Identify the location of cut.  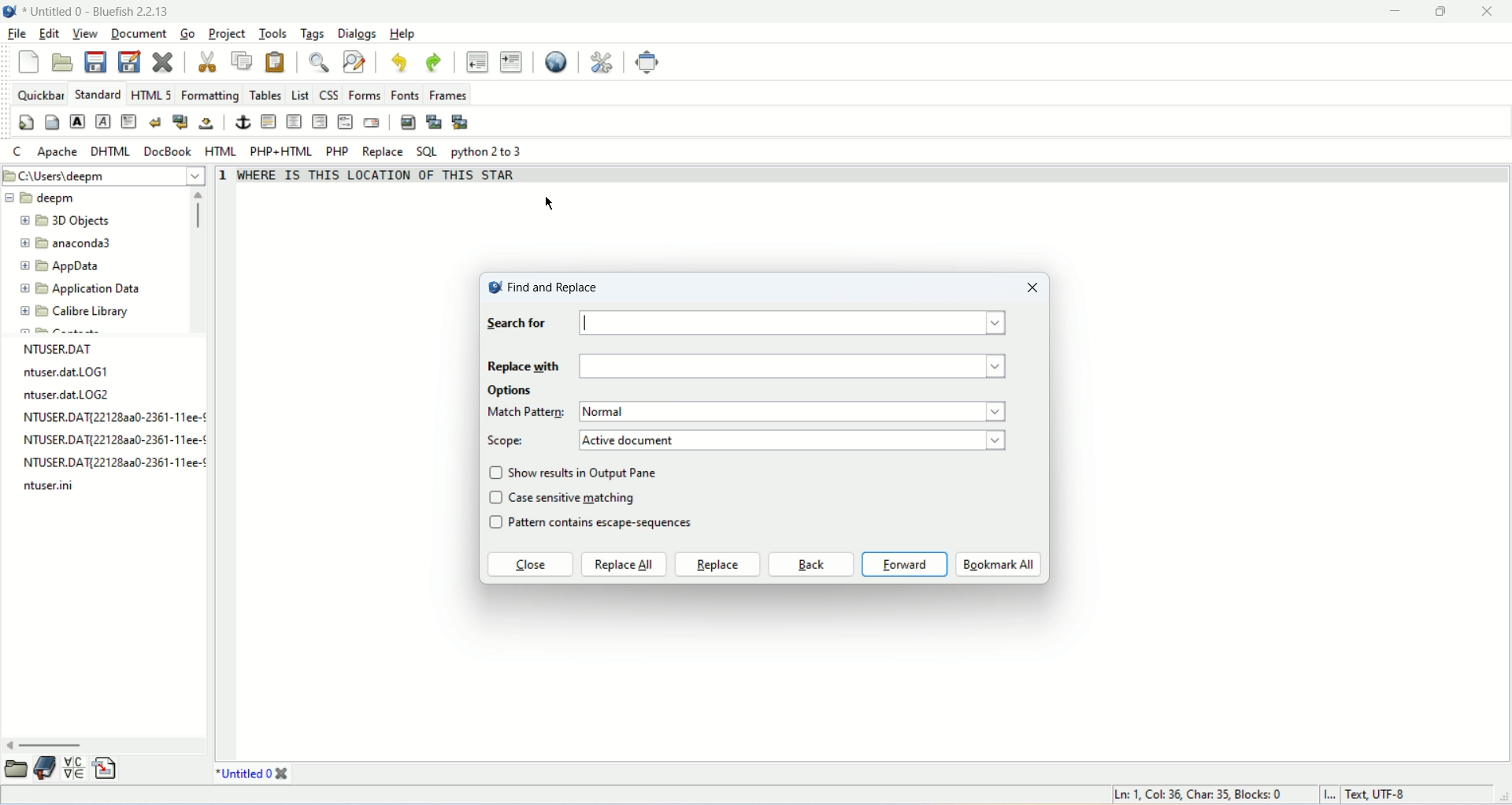
(209, 62).